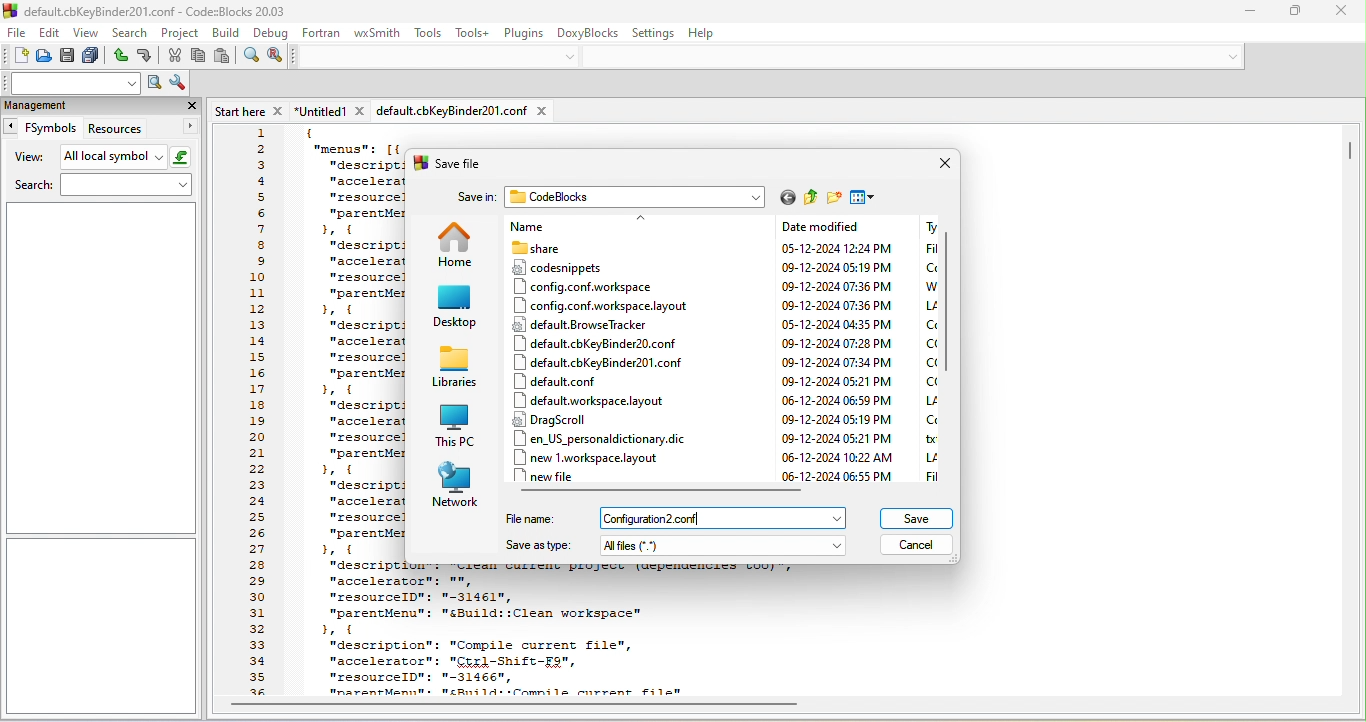 The width and height of the screenshot is (1366, 722). What do you see at coordinates (1250, 12) in the screenshot?
I see `minimize` at bounding box center [1250, 12].